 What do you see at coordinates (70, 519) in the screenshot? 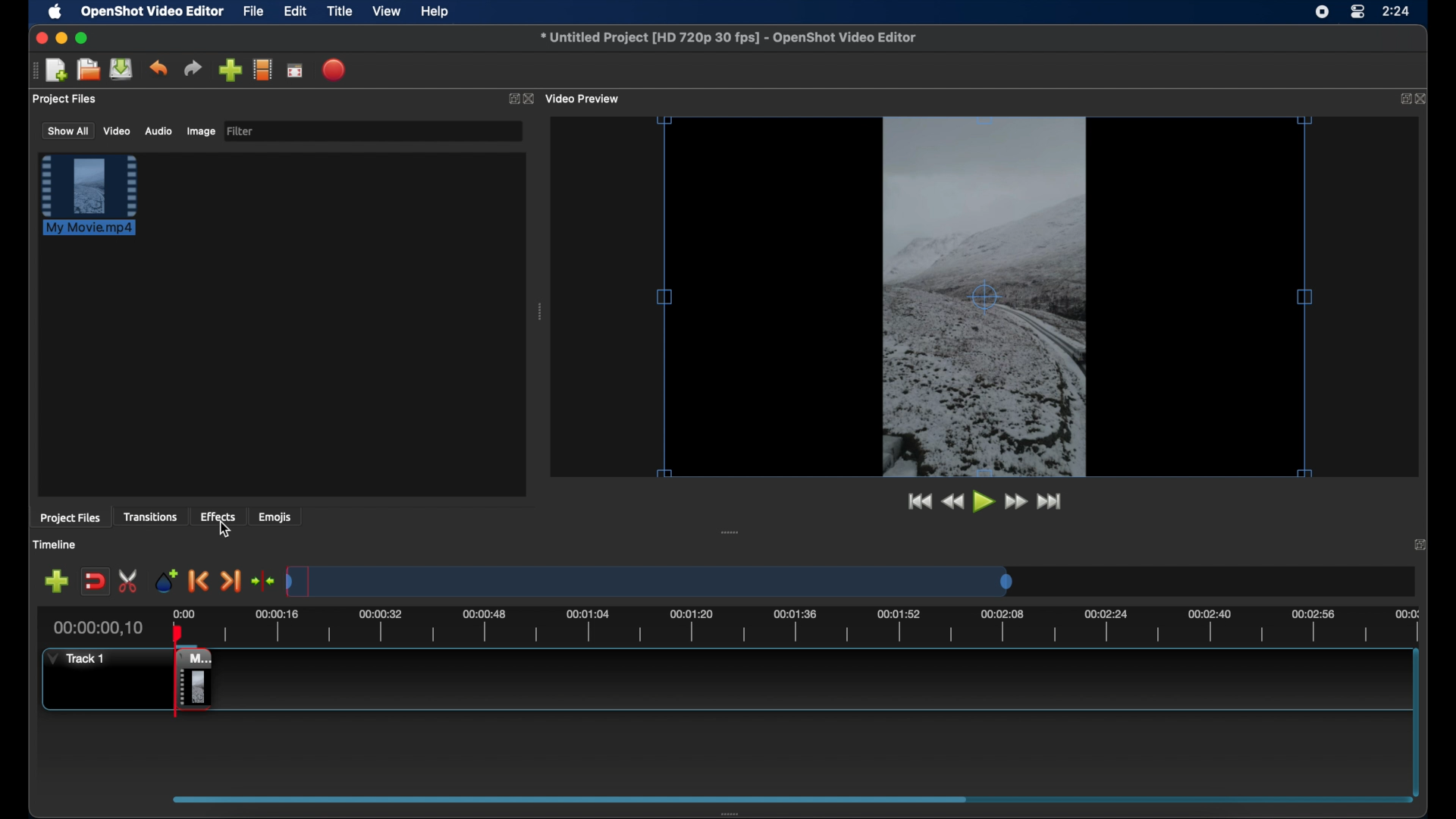
I see `project files` at bounding box center [70, 519].